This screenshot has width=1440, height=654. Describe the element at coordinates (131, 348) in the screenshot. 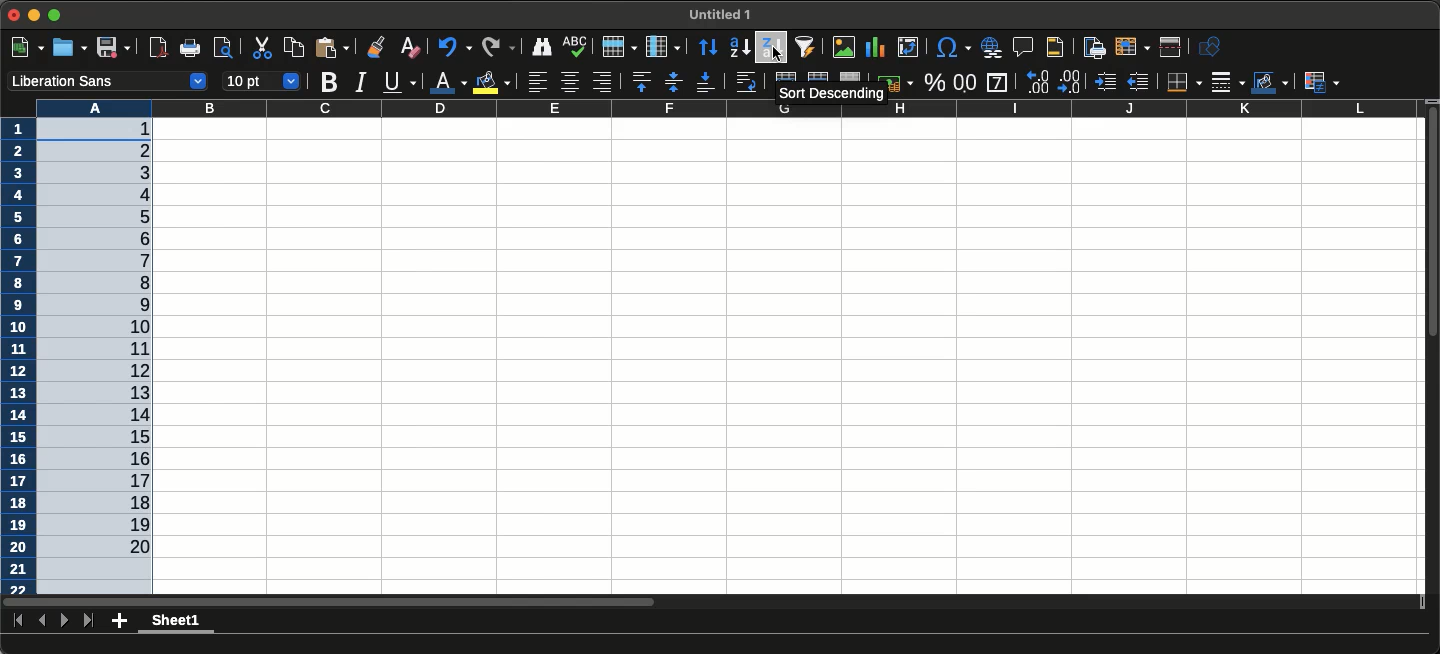

I see `11` at that location.